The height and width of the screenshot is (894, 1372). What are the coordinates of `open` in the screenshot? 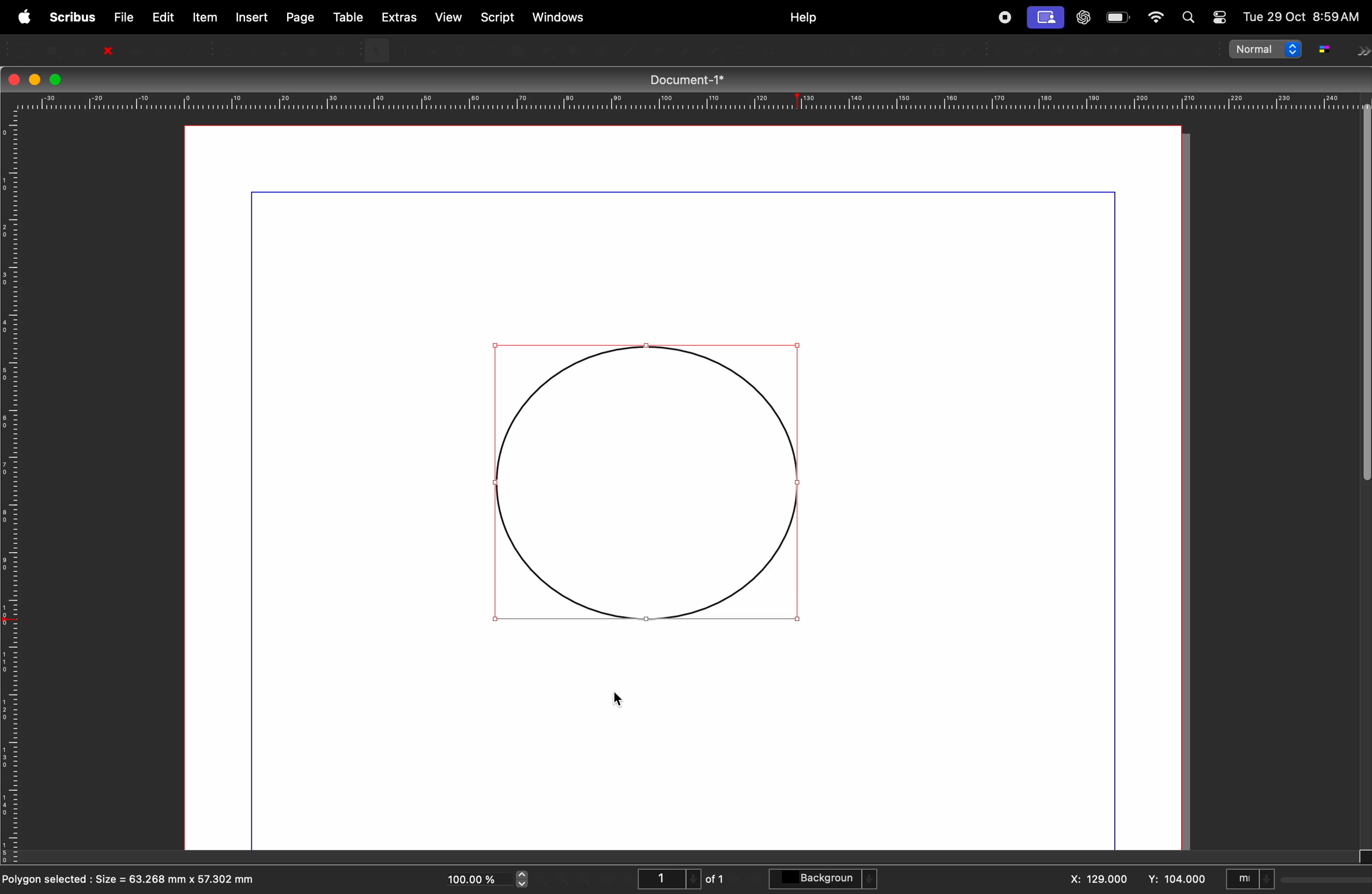 It's located at (54, 48).